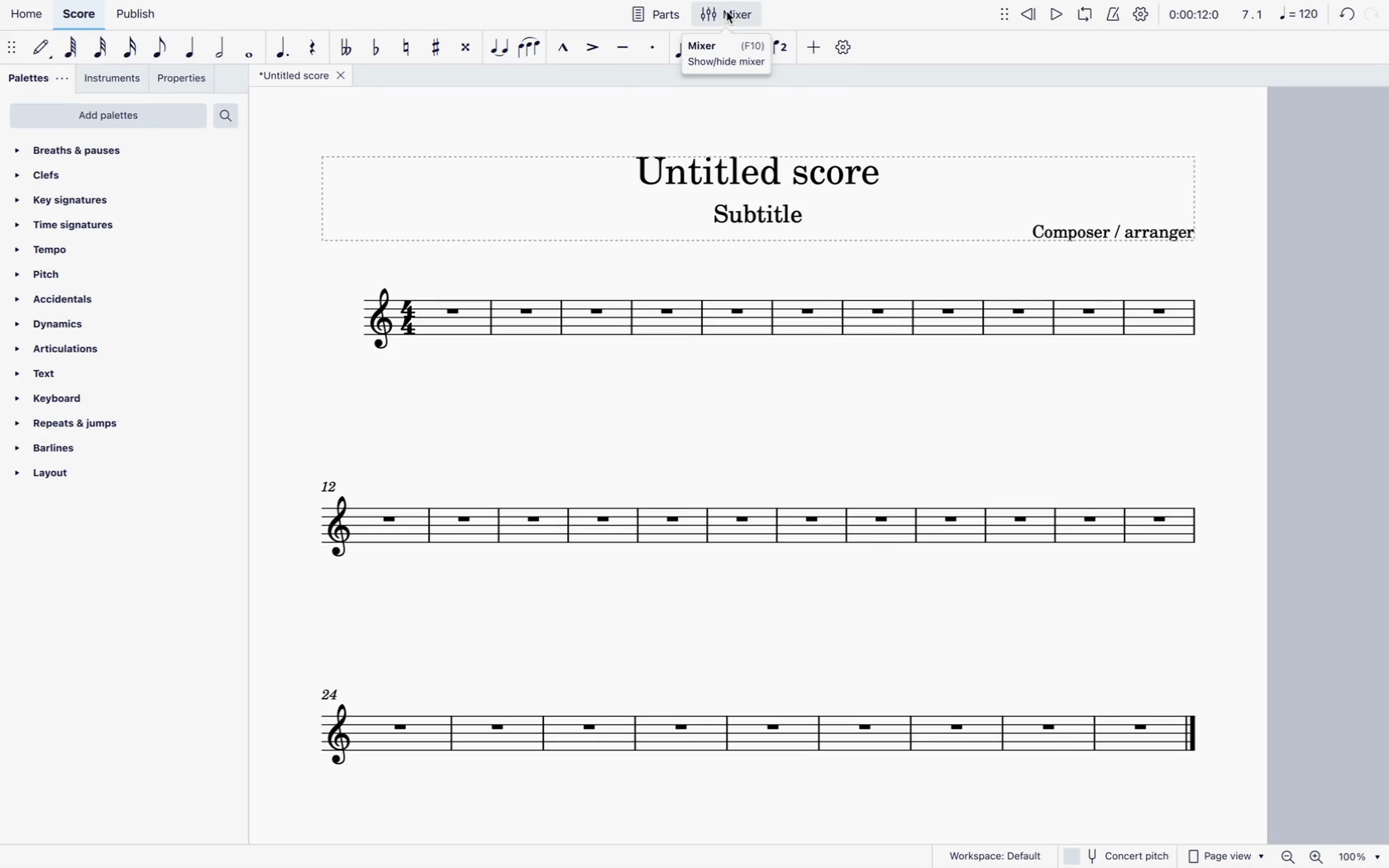 This screenshot has height=868, width=1389. Describe the element at coordinates (729, 22) in the screenshot. I see `cursor` at that location.